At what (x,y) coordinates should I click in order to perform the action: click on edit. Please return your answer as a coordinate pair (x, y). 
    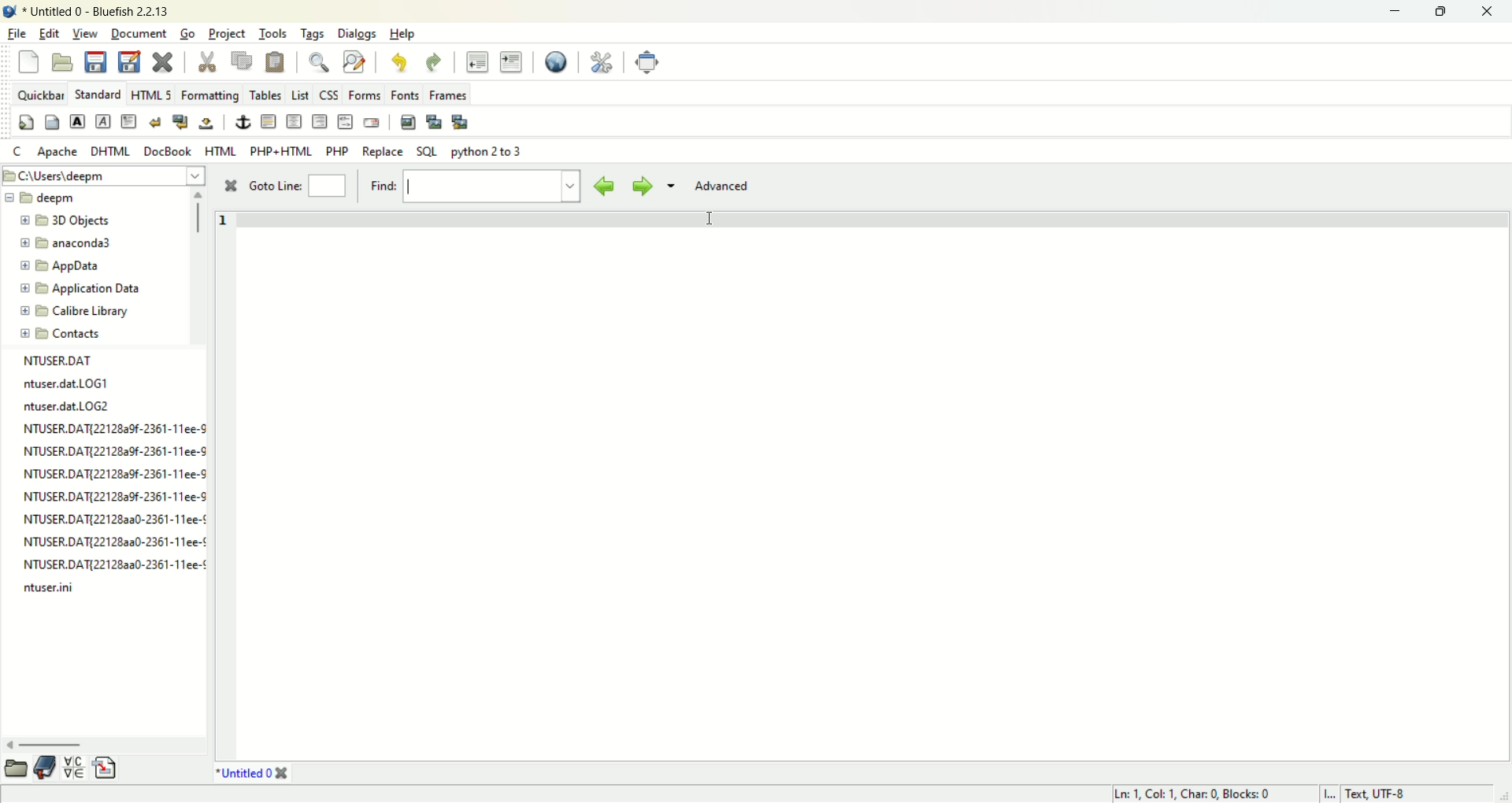
    Looking at the image, I should click on (49, 33).